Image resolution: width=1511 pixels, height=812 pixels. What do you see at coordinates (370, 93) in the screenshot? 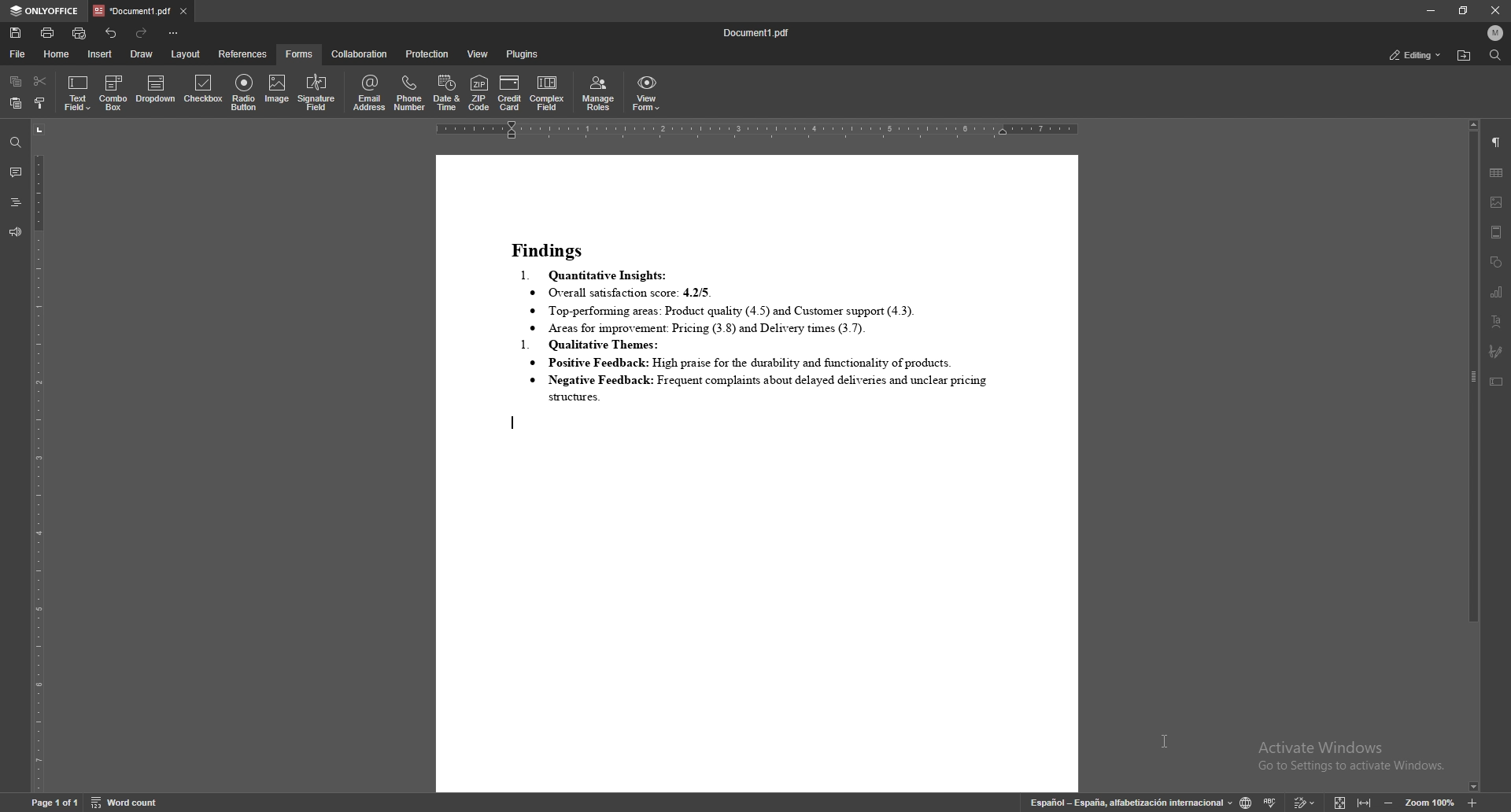
I see `email address` at bounding box center [370, 93].